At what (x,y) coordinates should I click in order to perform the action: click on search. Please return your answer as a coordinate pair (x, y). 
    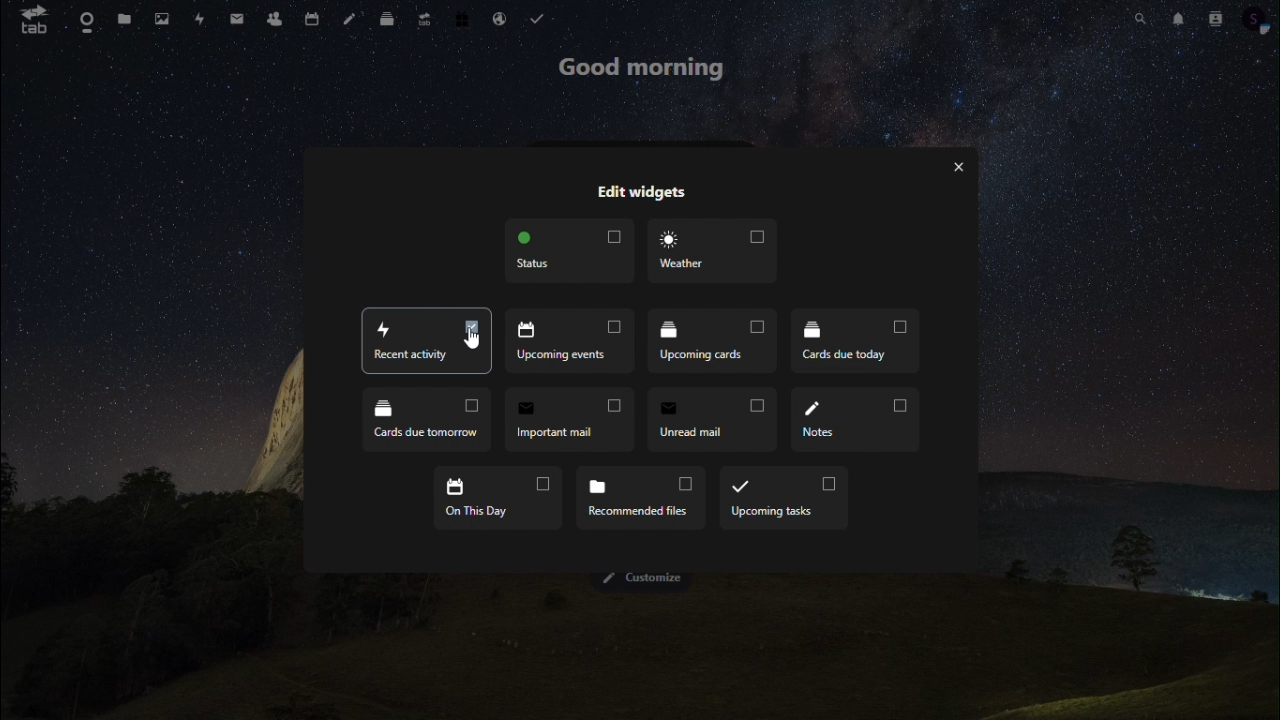
    Looking at the image, I should click on (1135, 23).